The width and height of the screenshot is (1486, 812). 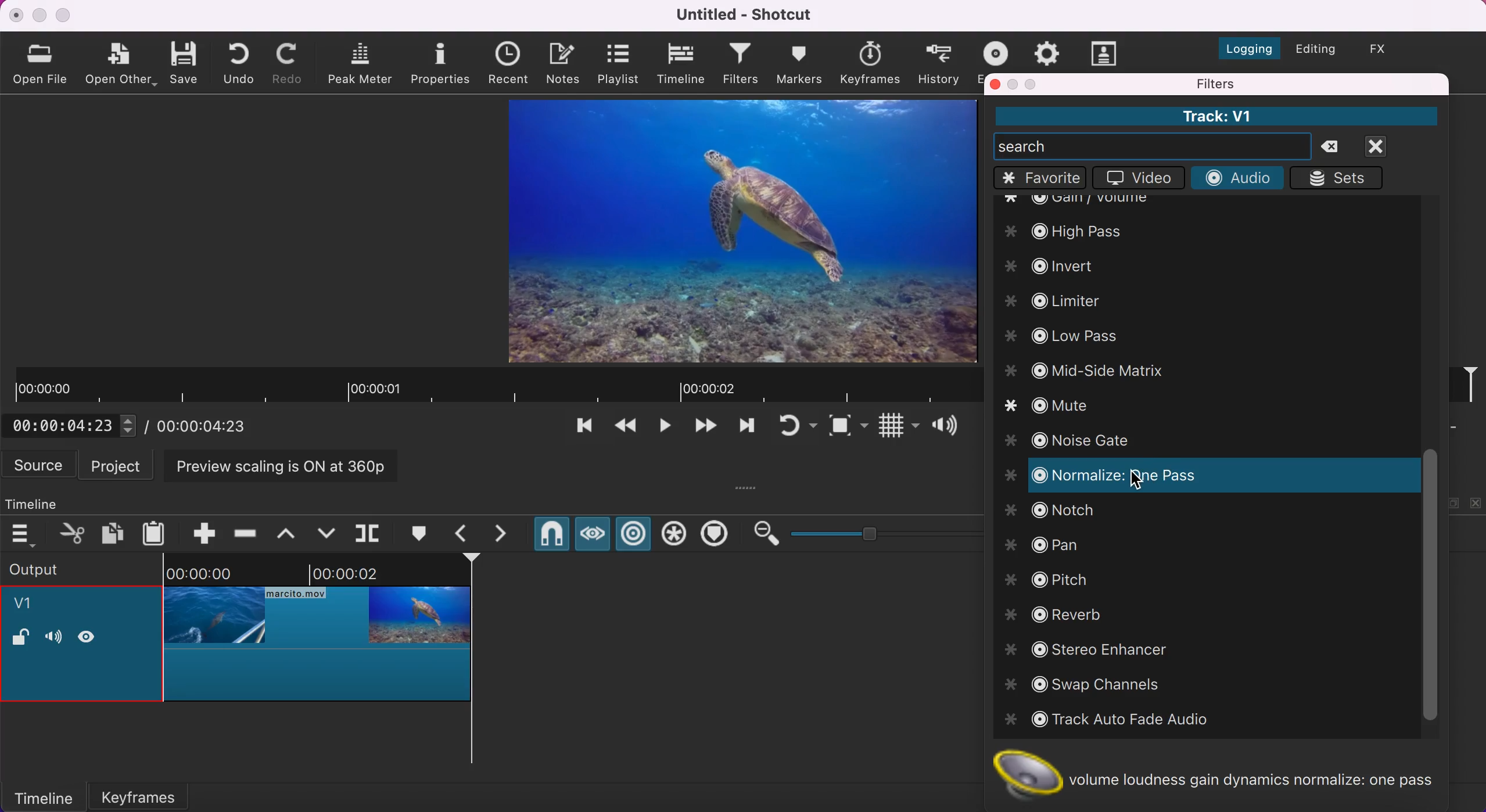 What do you see at coordinates (1061, 614) in the screenshot?
I see `reverb` at bounding box center [1061, 614].